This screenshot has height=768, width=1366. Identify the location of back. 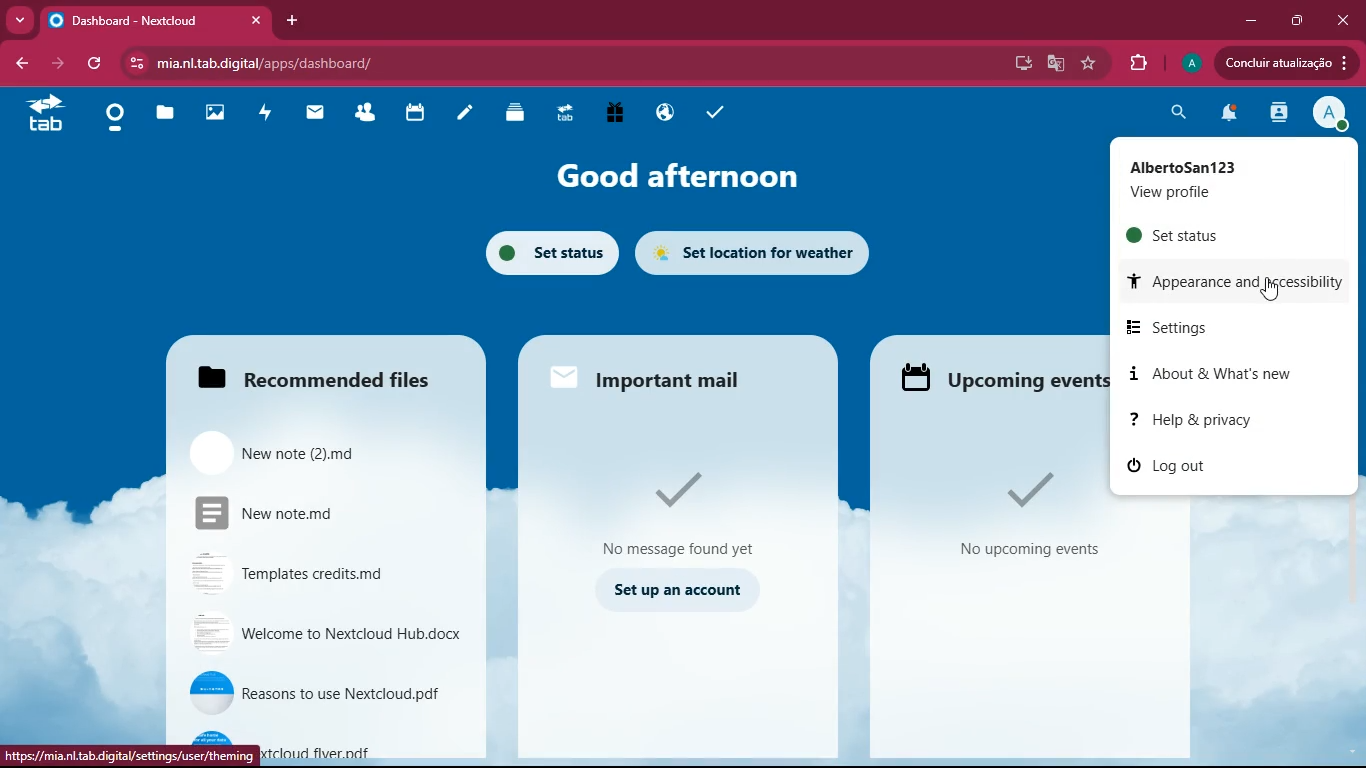
(57, 66).